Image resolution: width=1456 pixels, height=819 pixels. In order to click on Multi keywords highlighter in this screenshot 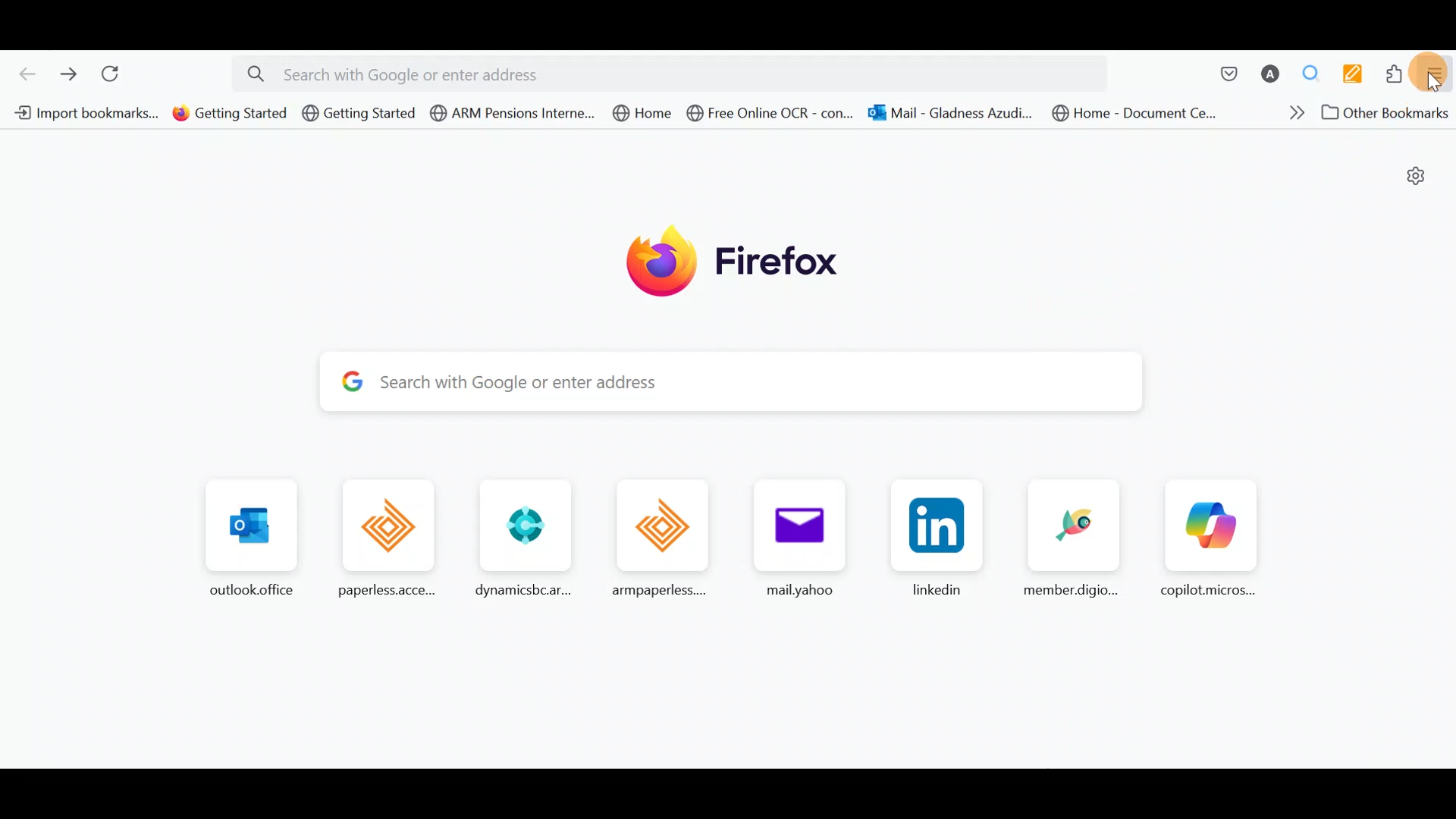, I will do `click(1348, 76)`.